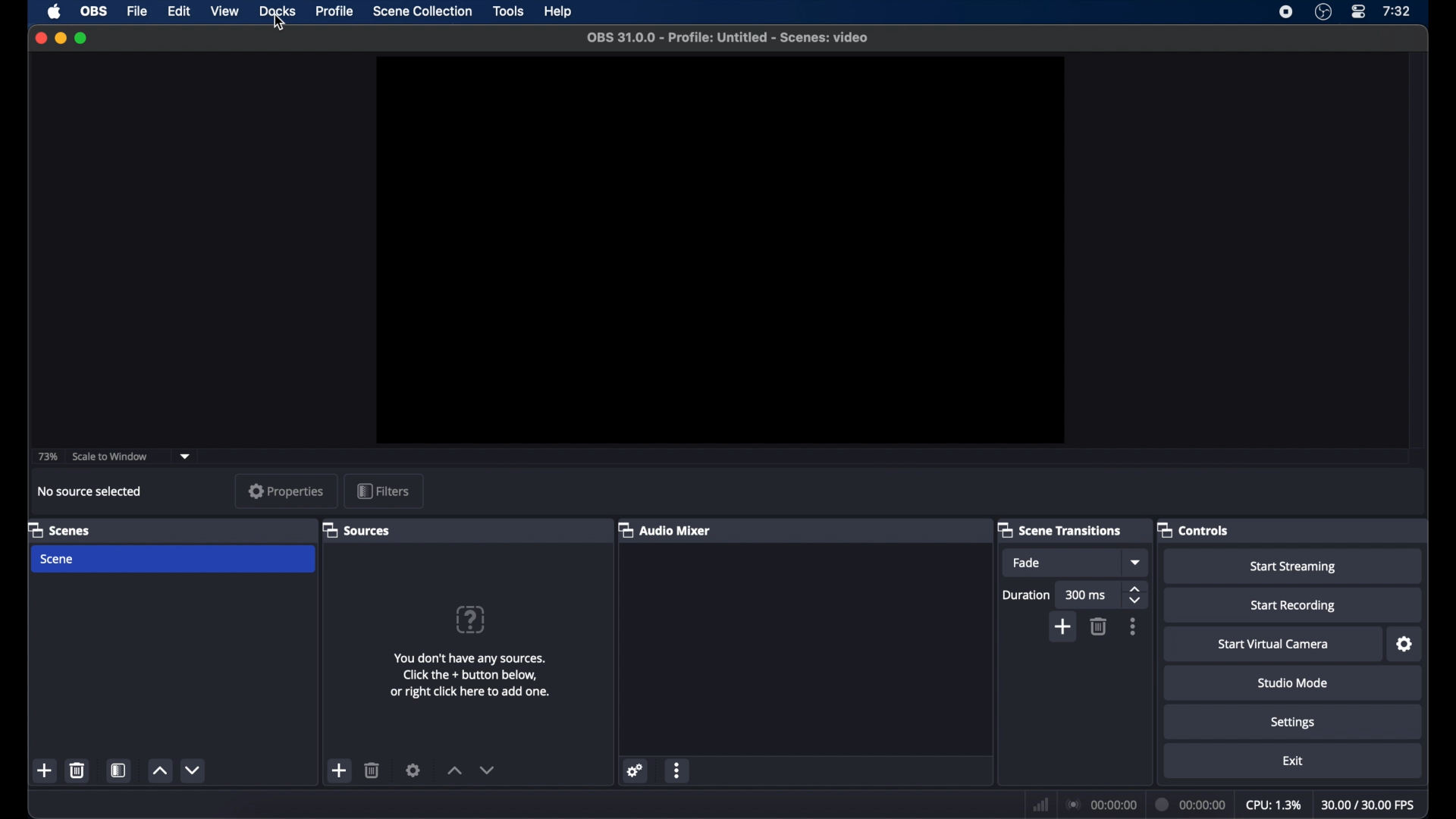 This screenshot has width=1456, height=819. What do you see at coordinates (1294, 761) in the screenshot?
I see `exit` at bounding box center [1294, 761].